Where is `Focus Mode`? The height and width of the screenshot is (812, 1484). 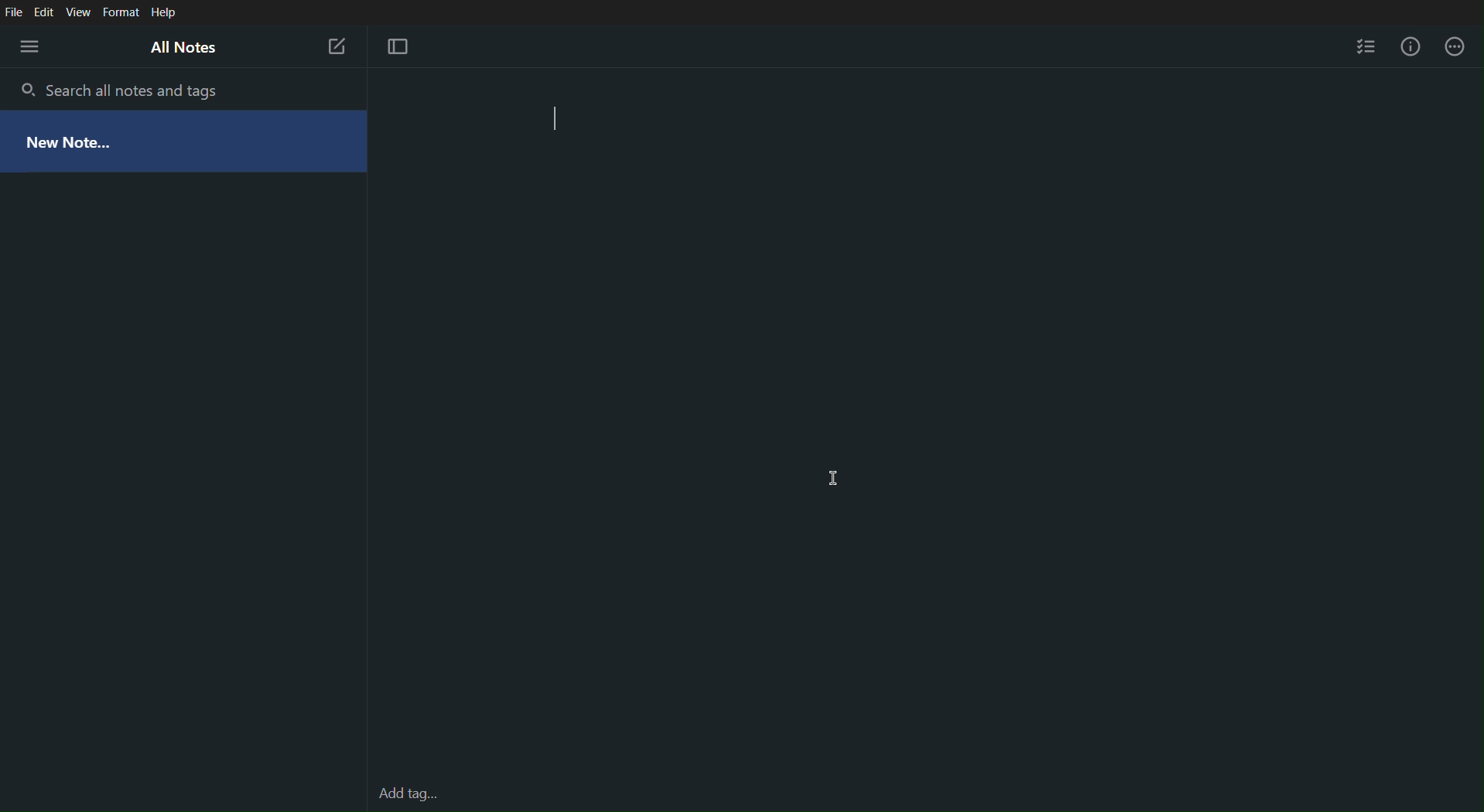
Focus Mode is located at coordinates (395, 46).